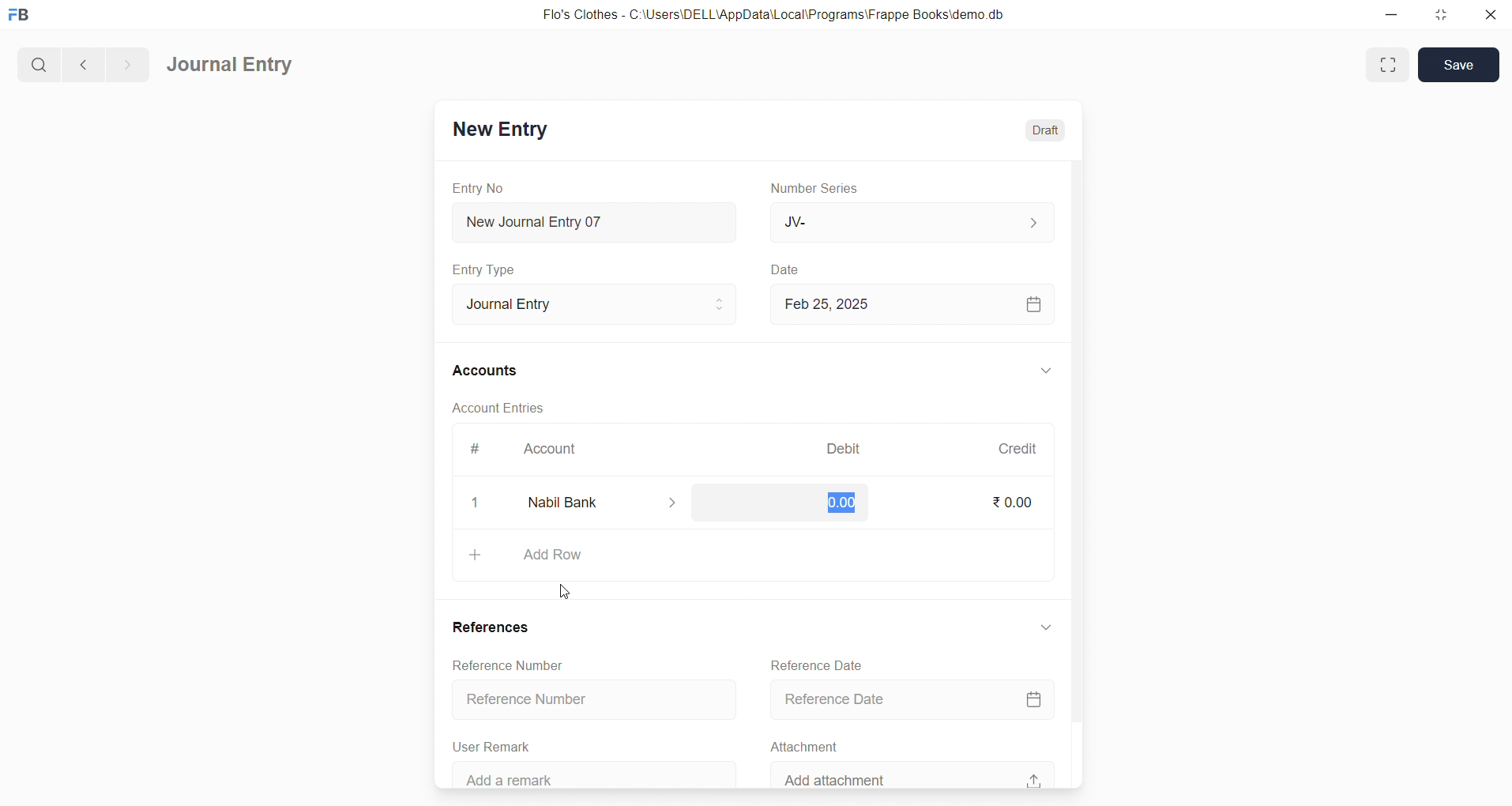  What do you see at coordinates (568, 587) in the screenshot?
I see `cursor` at bounding box center [568, 587].